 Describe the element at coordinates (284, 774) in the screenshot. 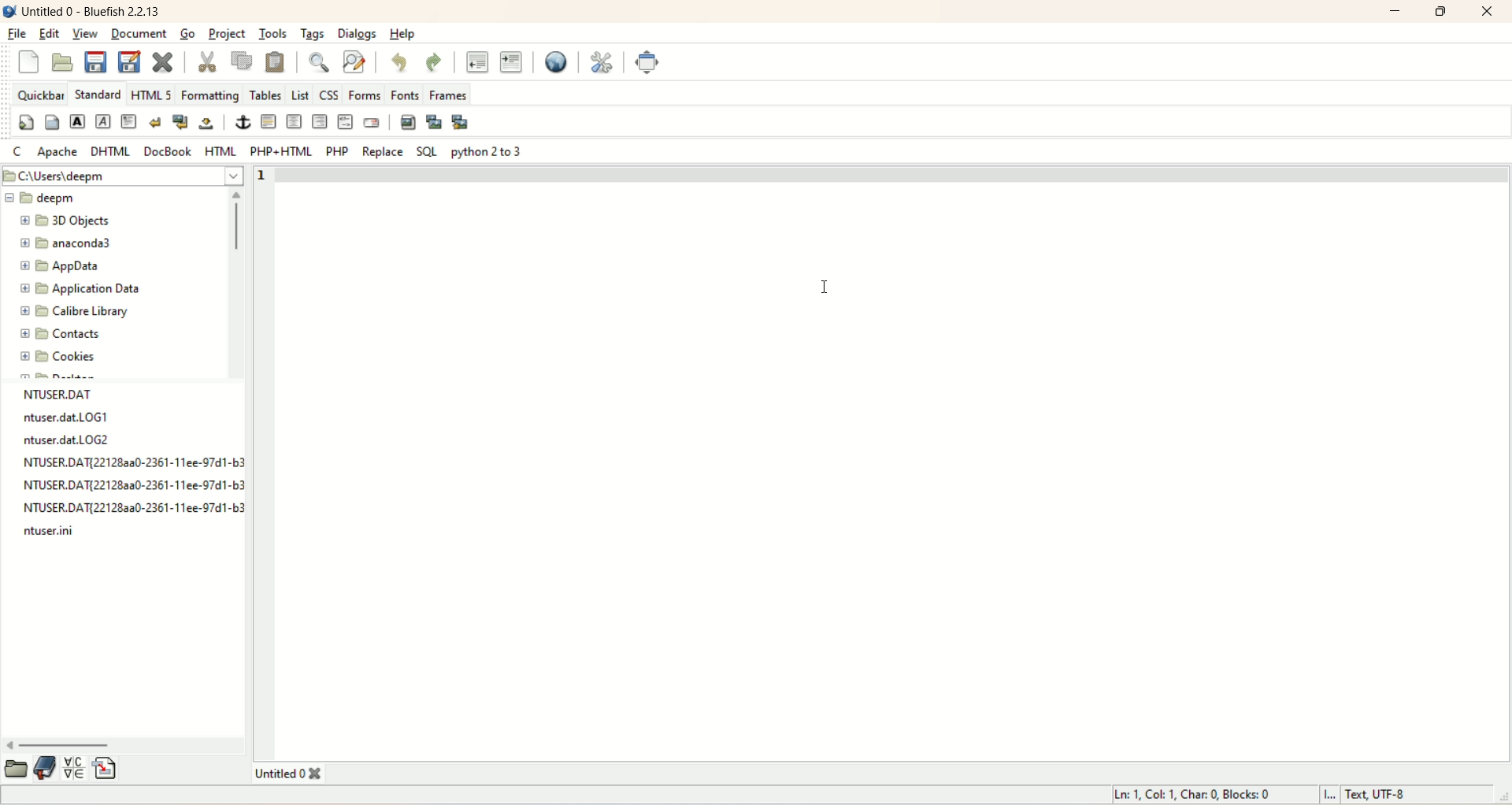

I see `untitled` at that location.